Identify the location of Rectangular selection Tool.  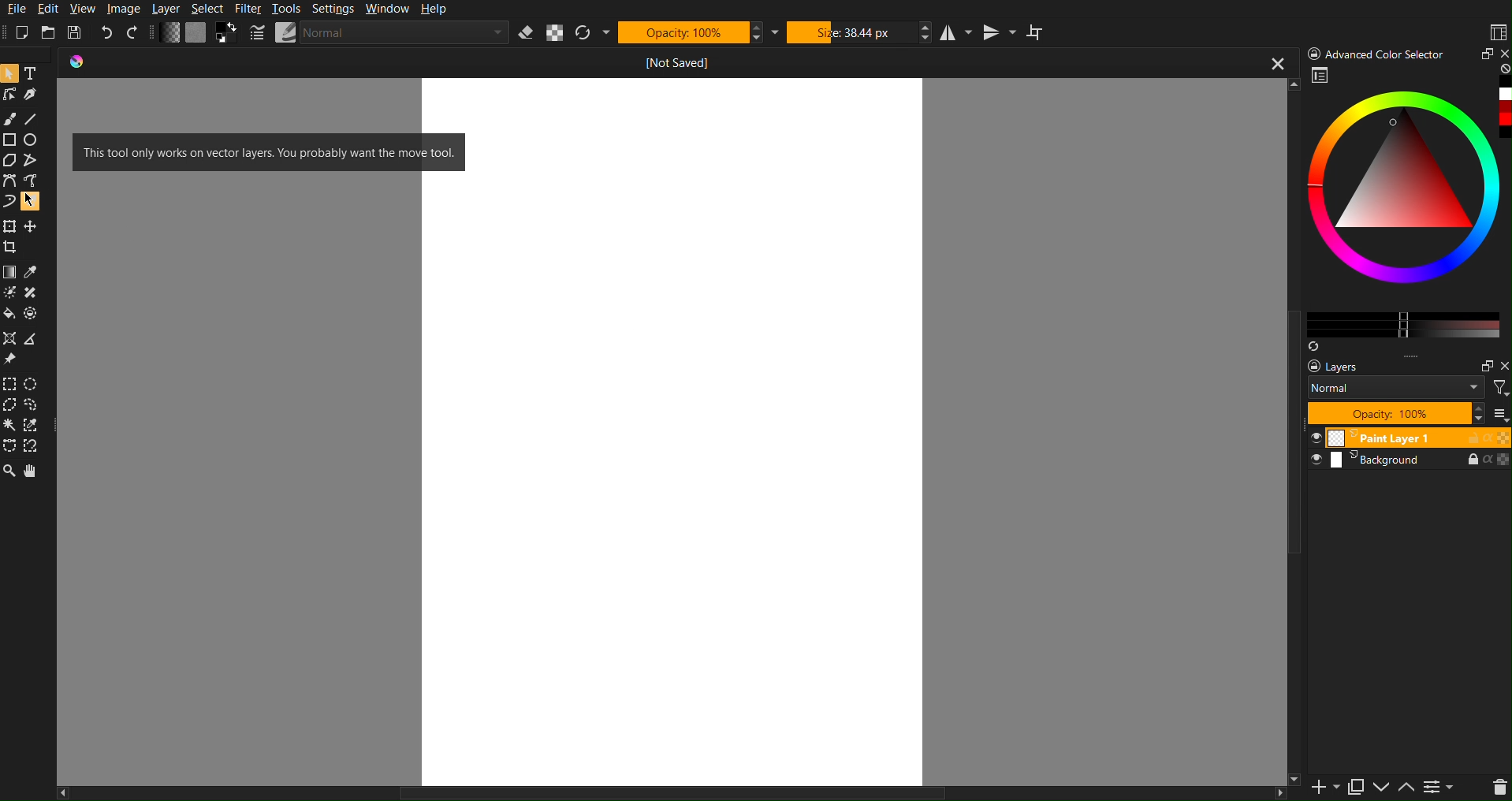
(9, 382).